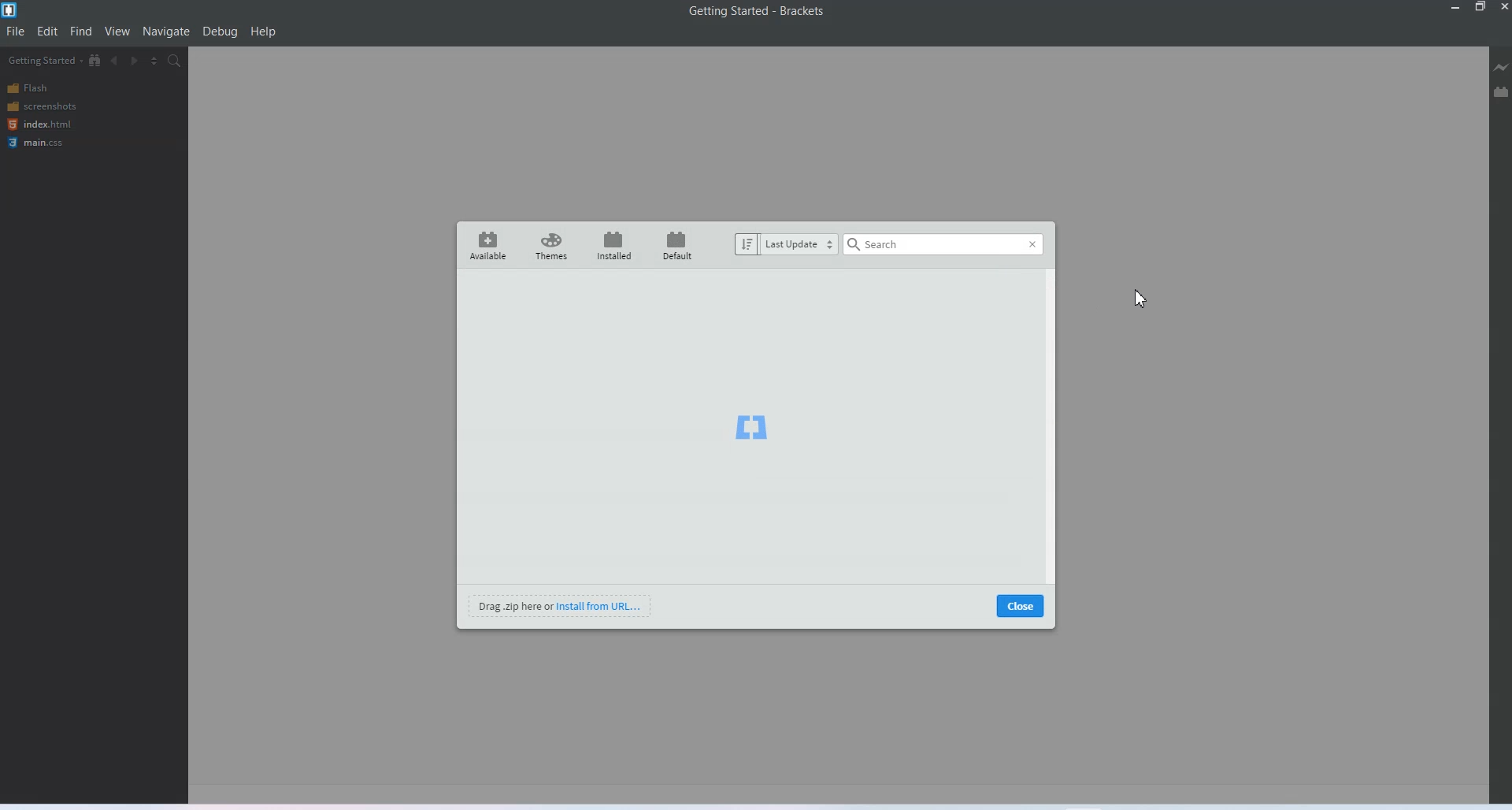 The image size is (1512, 810). What do you see at coordinates (561, 605) in the screenshot?
I see `Install from URL` at bounding box center [561, 605].